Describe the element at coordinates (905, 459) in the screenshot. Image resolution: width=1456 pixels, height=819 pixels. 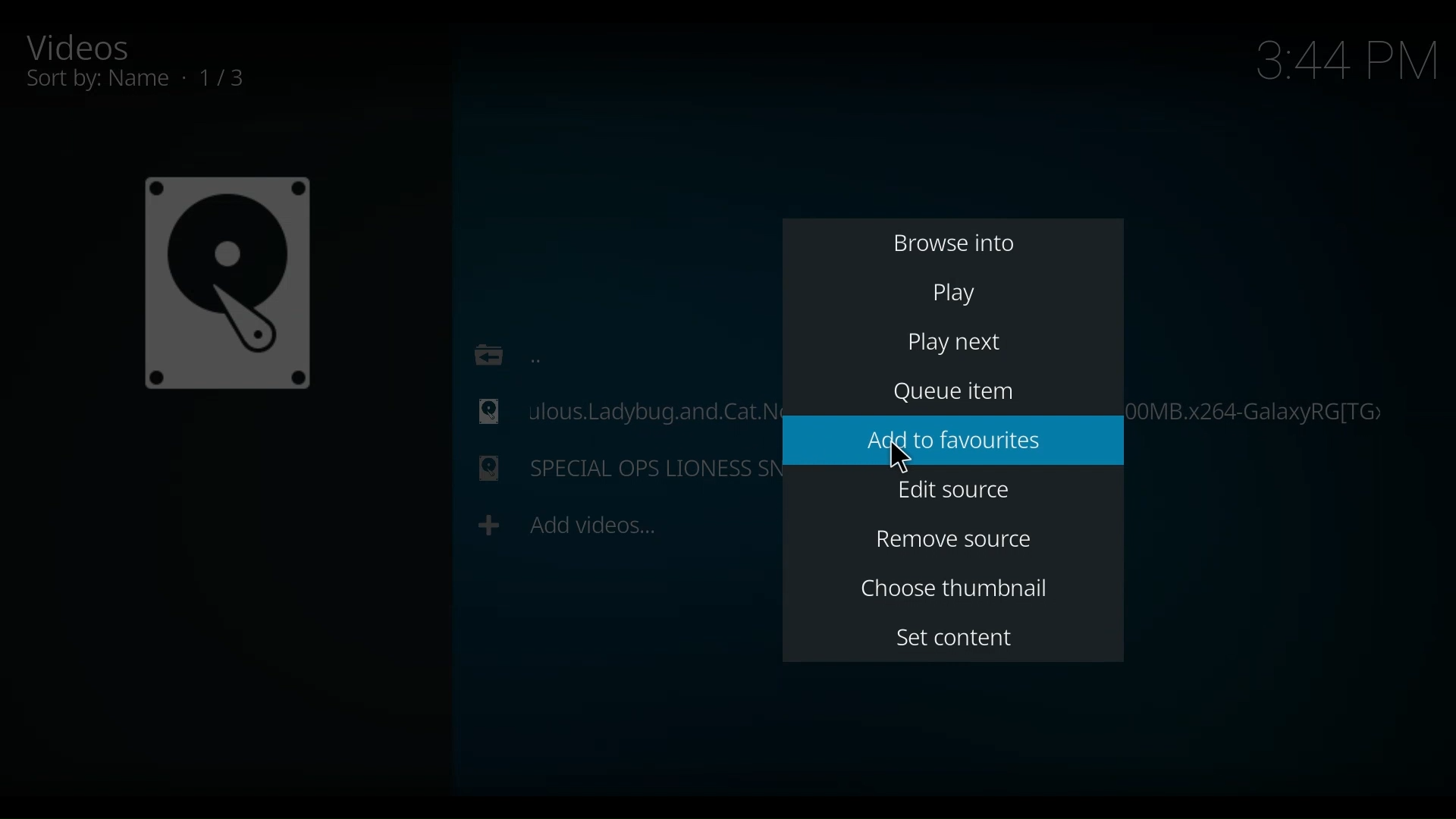
I see `Cursor` at that location.